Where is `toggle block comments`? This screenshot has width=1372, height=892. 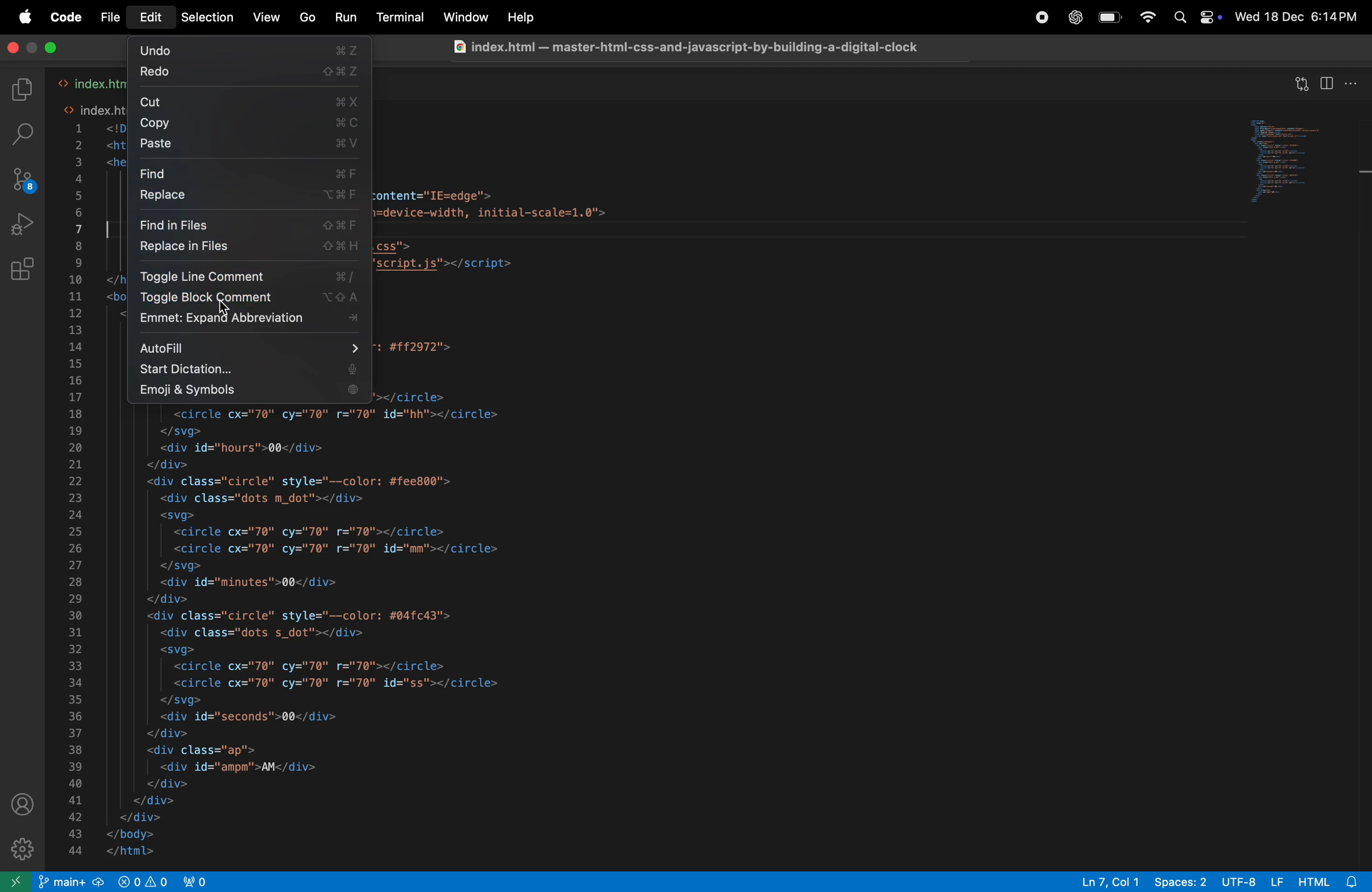
toggle block comments is located at coordinates (247, 300).